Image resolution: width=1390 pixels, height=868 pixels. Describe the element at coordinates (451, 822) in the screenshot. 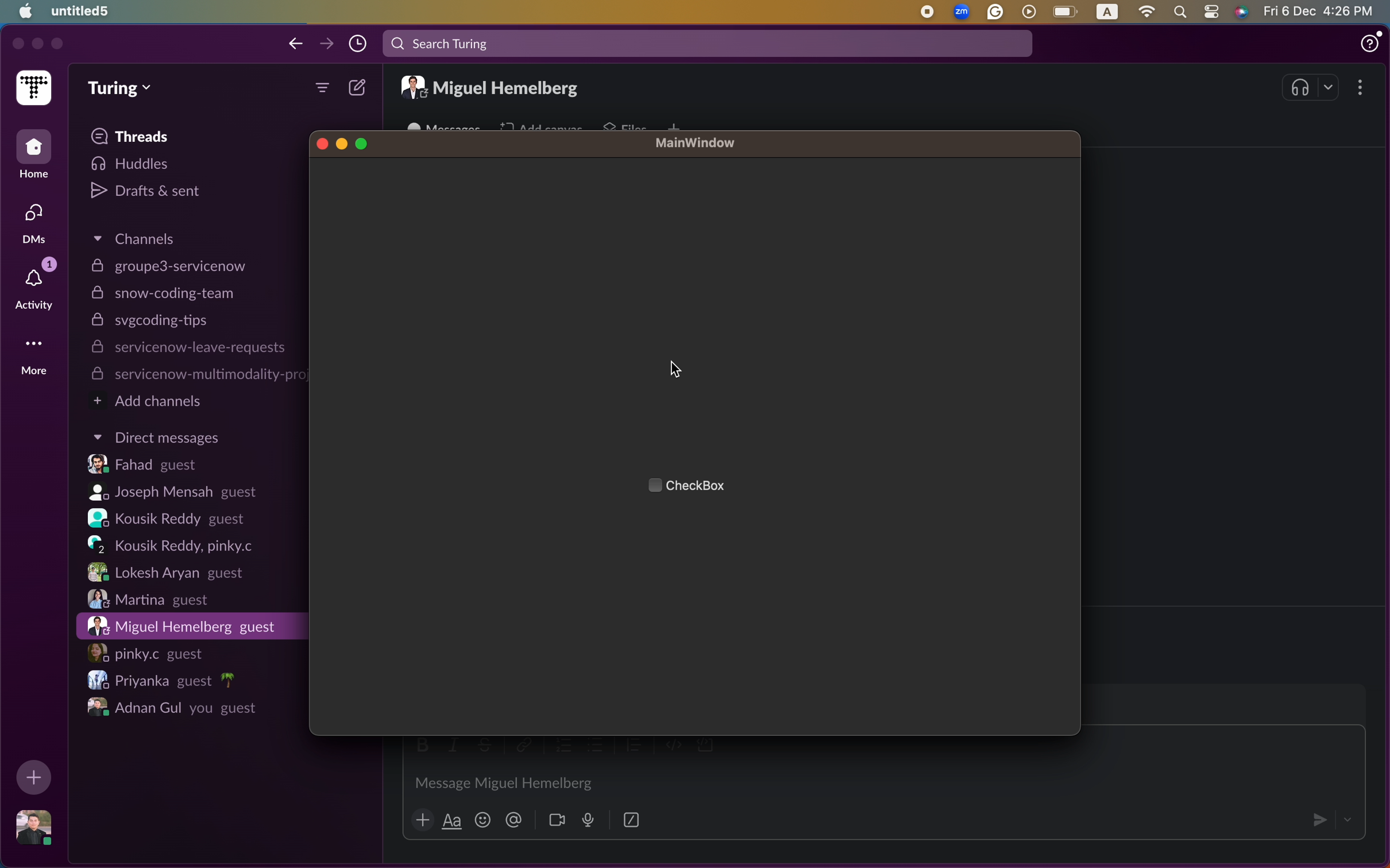

I see `underline` at that location.